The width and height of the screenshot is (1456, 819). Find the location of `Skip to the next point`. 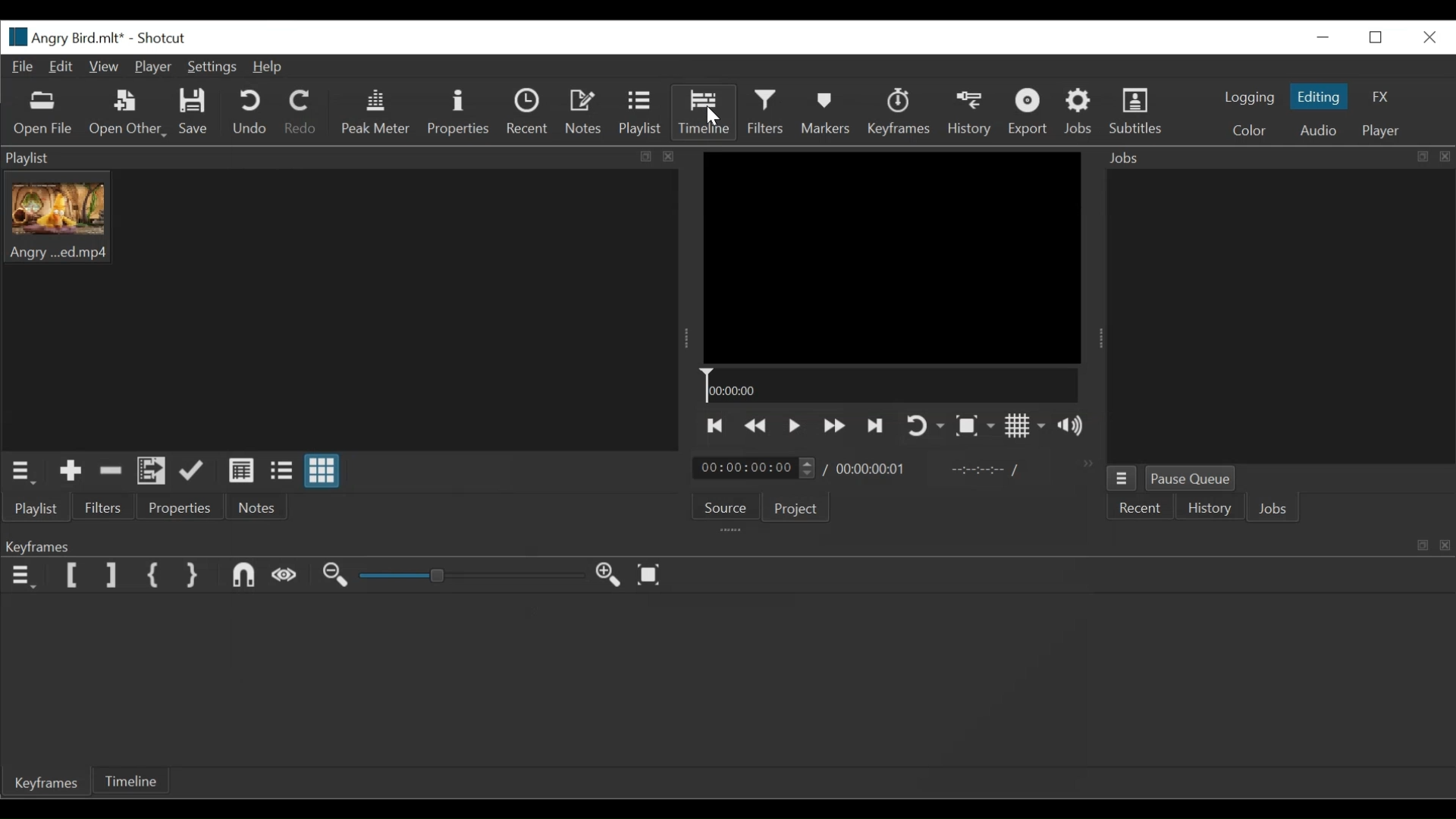

Skip to the next point is located at coordinates (877, 426).